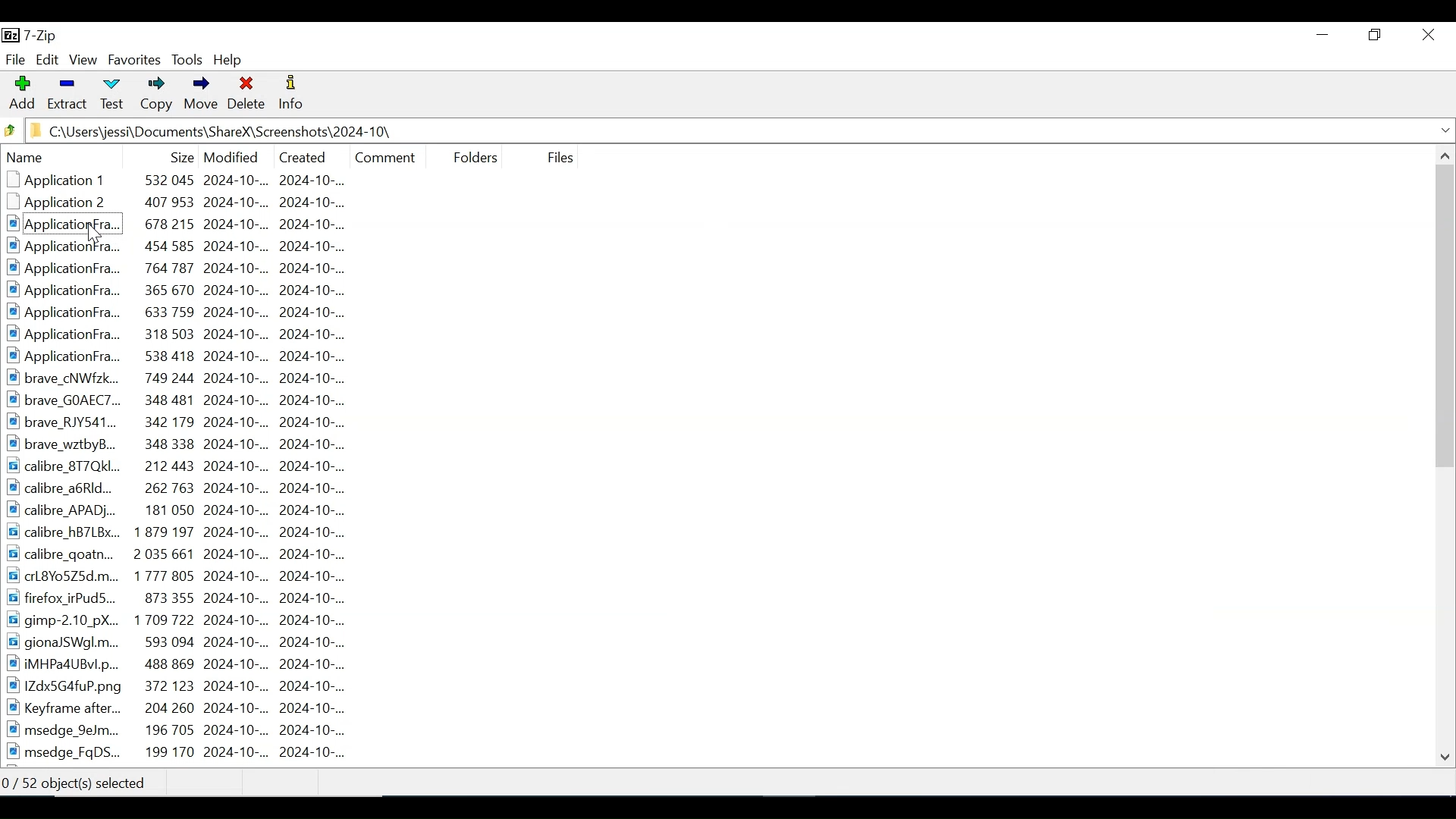  I want to click on Information, so click(292, 95).